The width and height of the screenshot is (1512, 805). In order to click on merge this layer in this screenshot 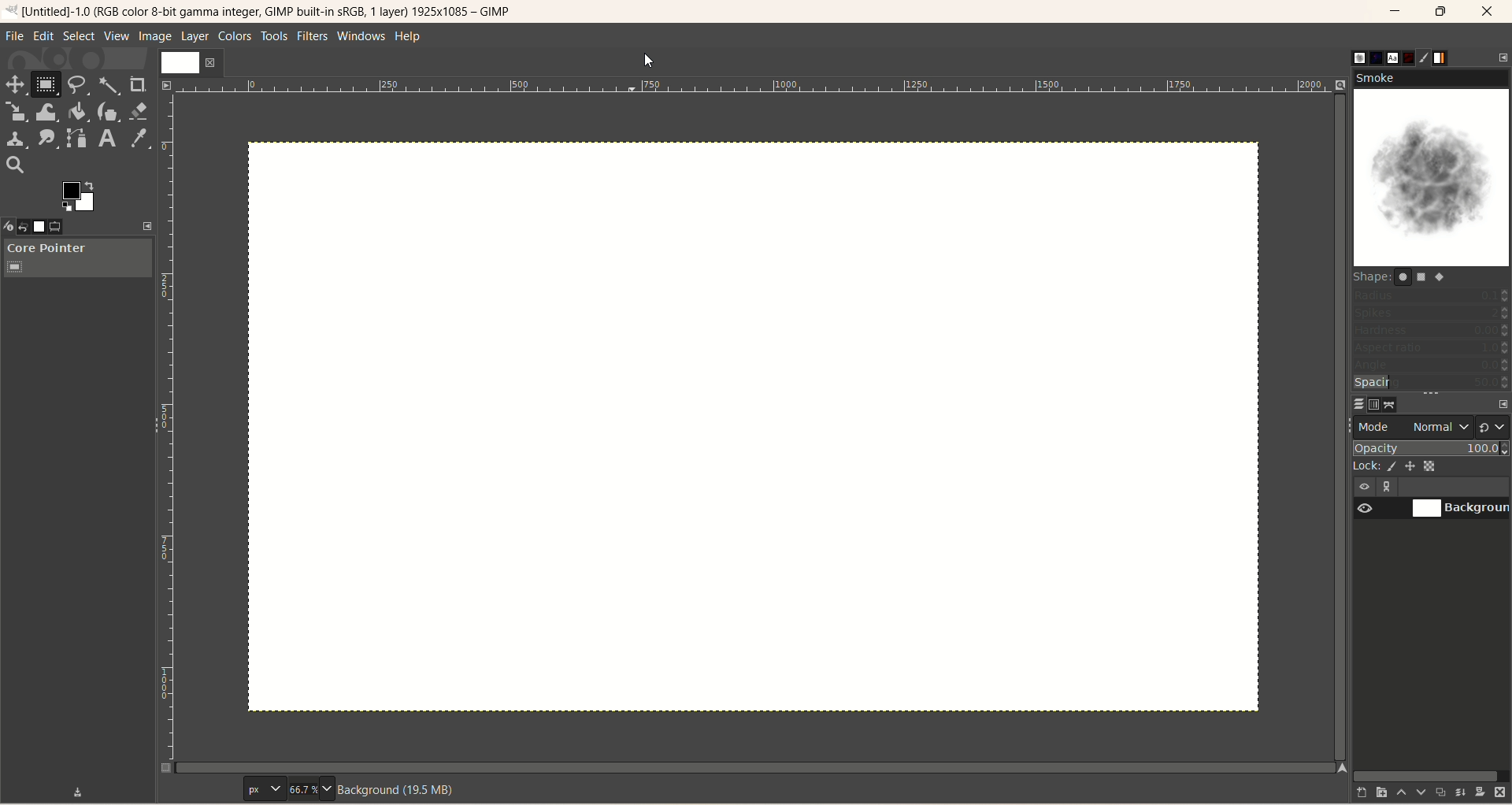, I will do `click(1458, 790)`.